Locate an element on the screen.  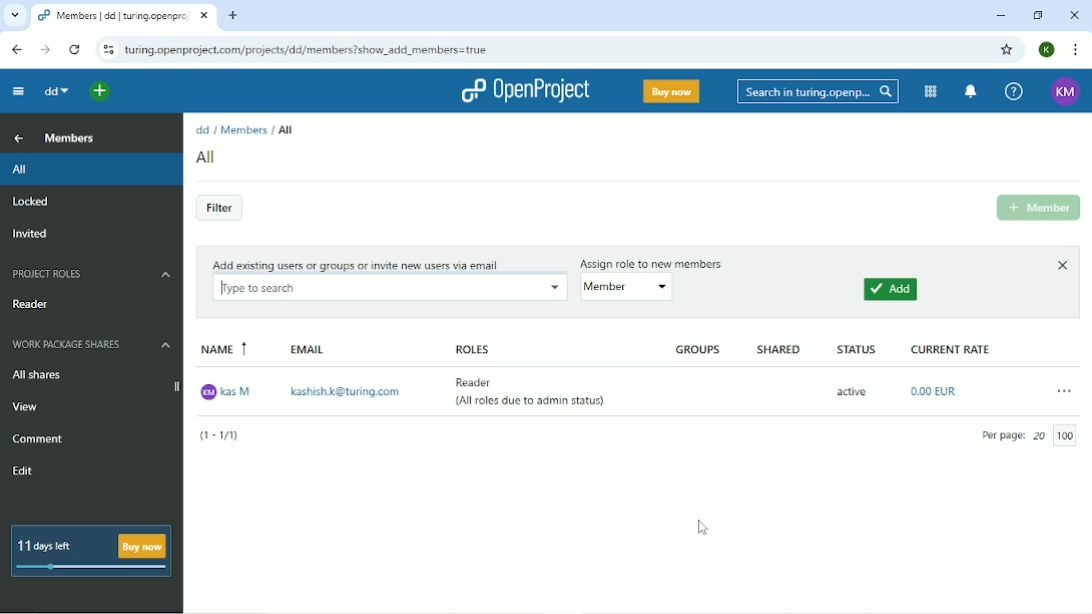
member is located at coordinates (635, 286).